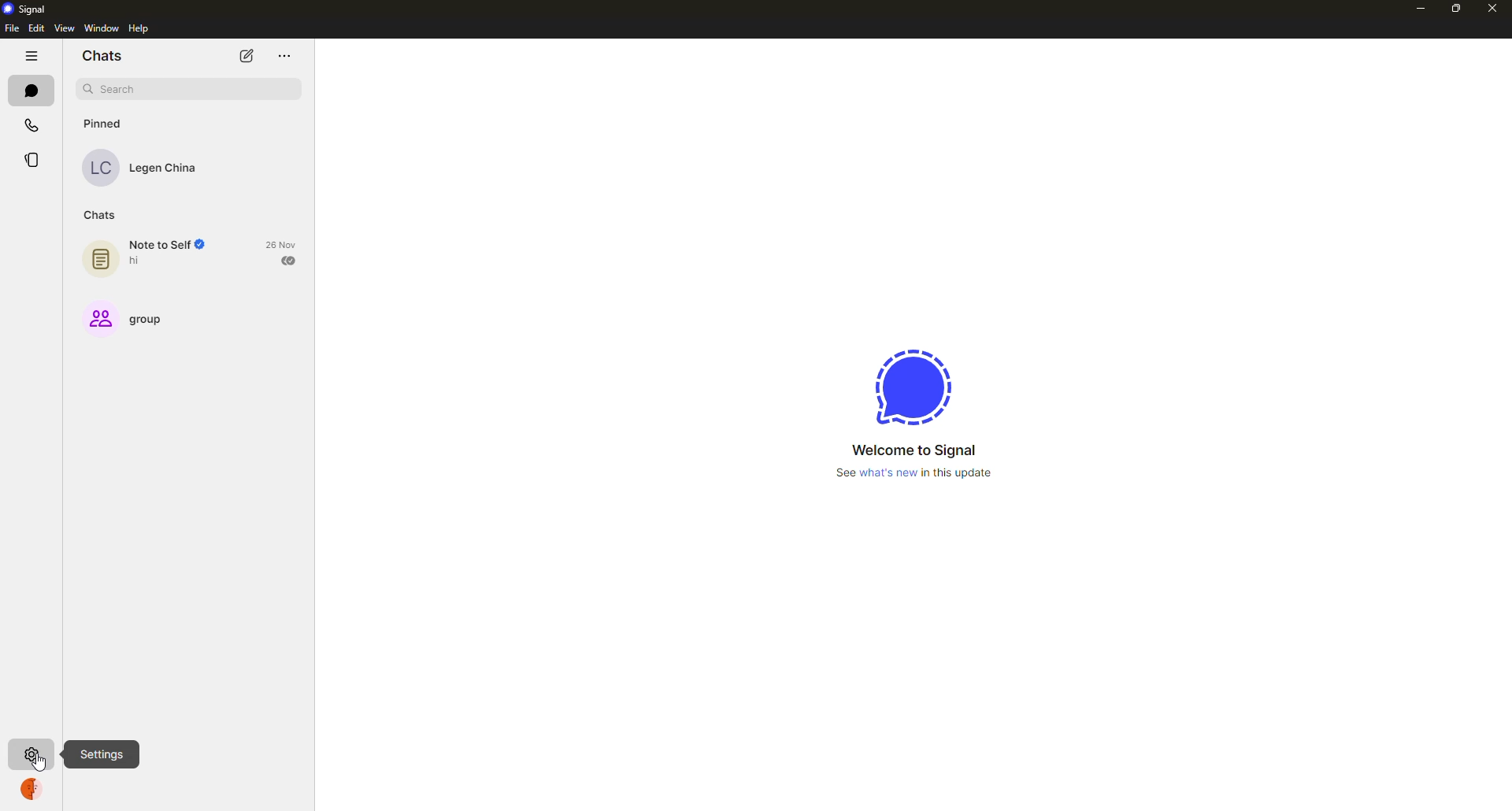 The width and height of the screenshot is (1512, 811). I want to click on Welcome to Signal, so click(913, 450).